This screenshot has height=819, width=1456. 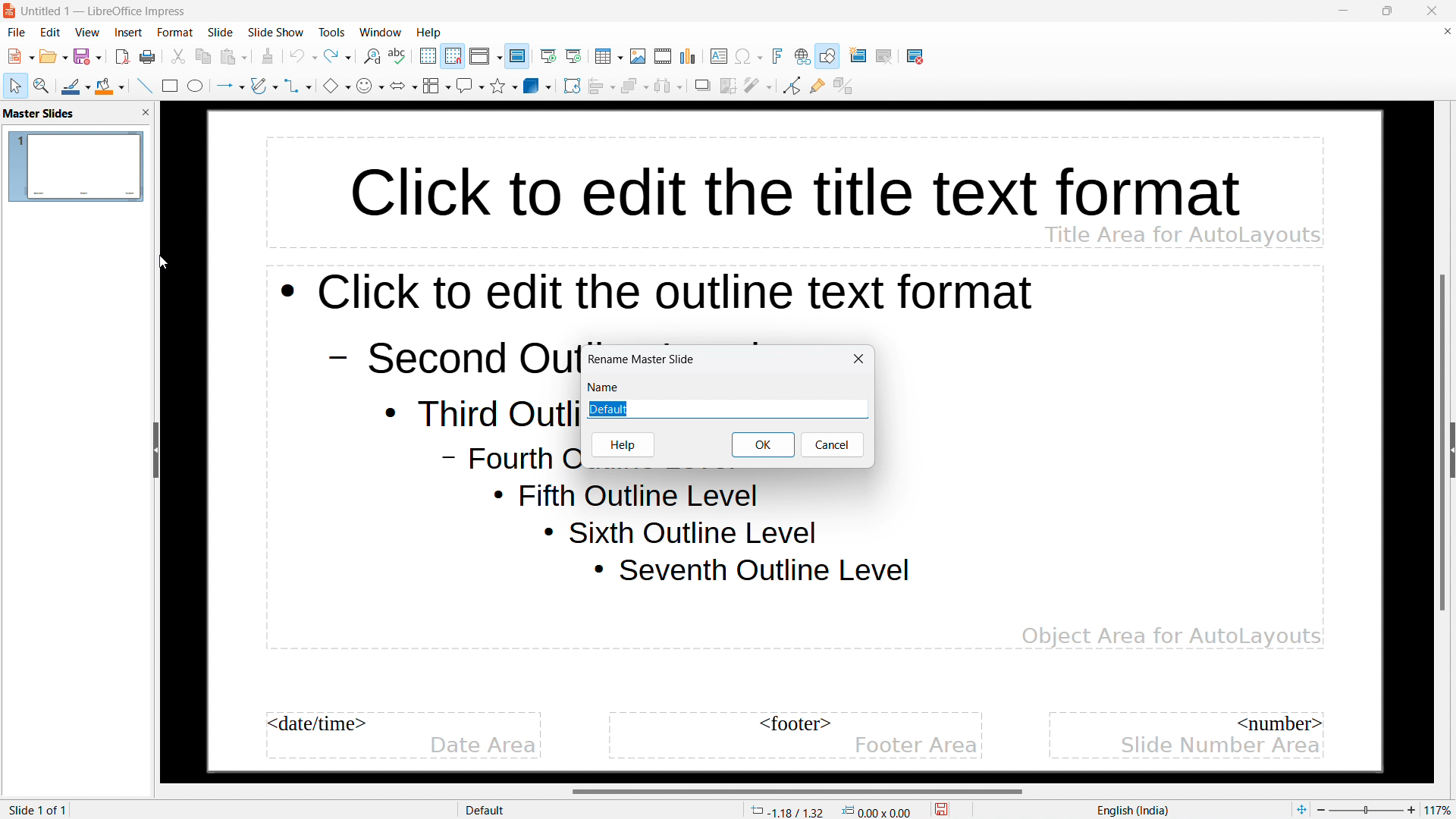 I want to click on open, so click(x=54, y=56).